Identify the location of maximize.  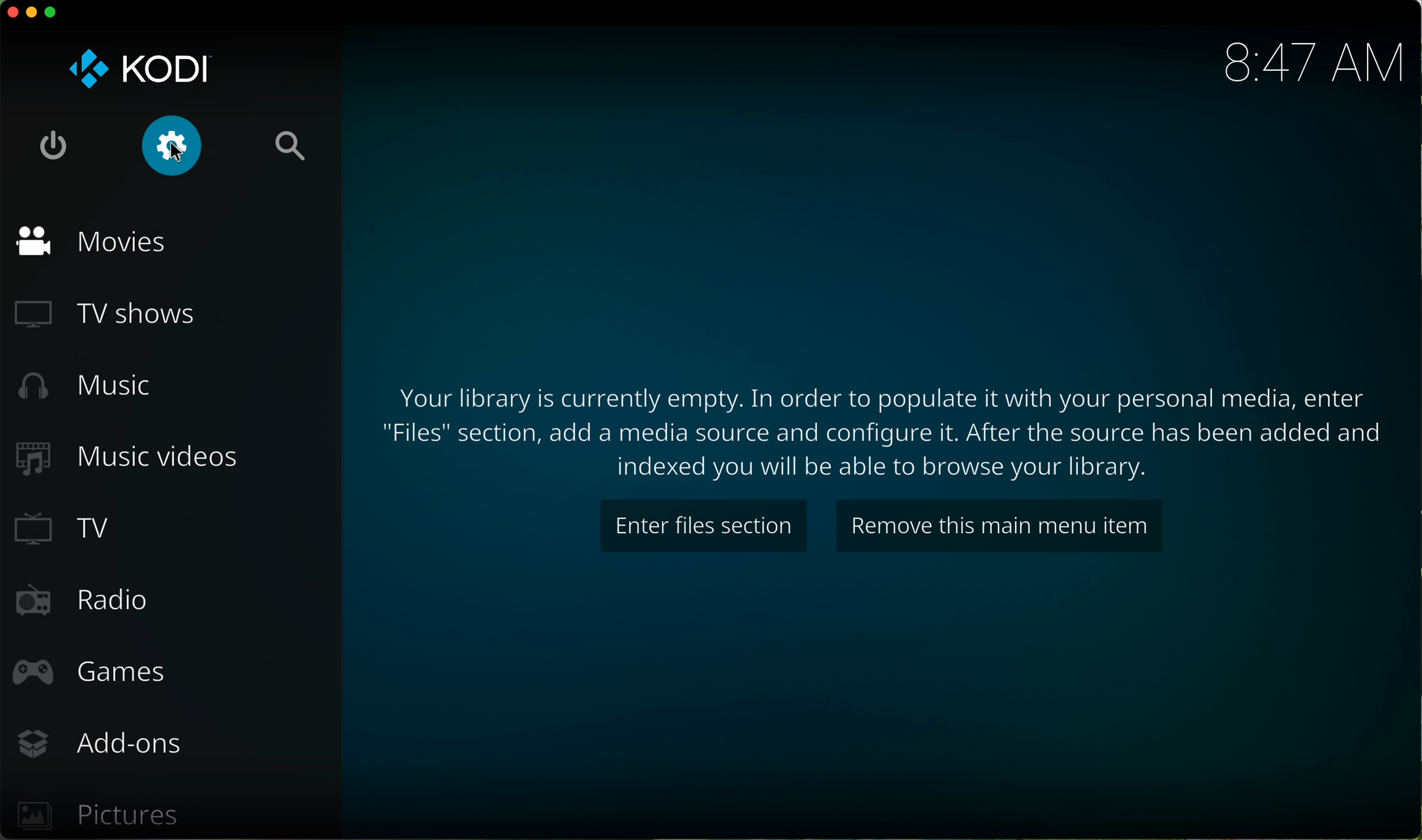
(55, 15).